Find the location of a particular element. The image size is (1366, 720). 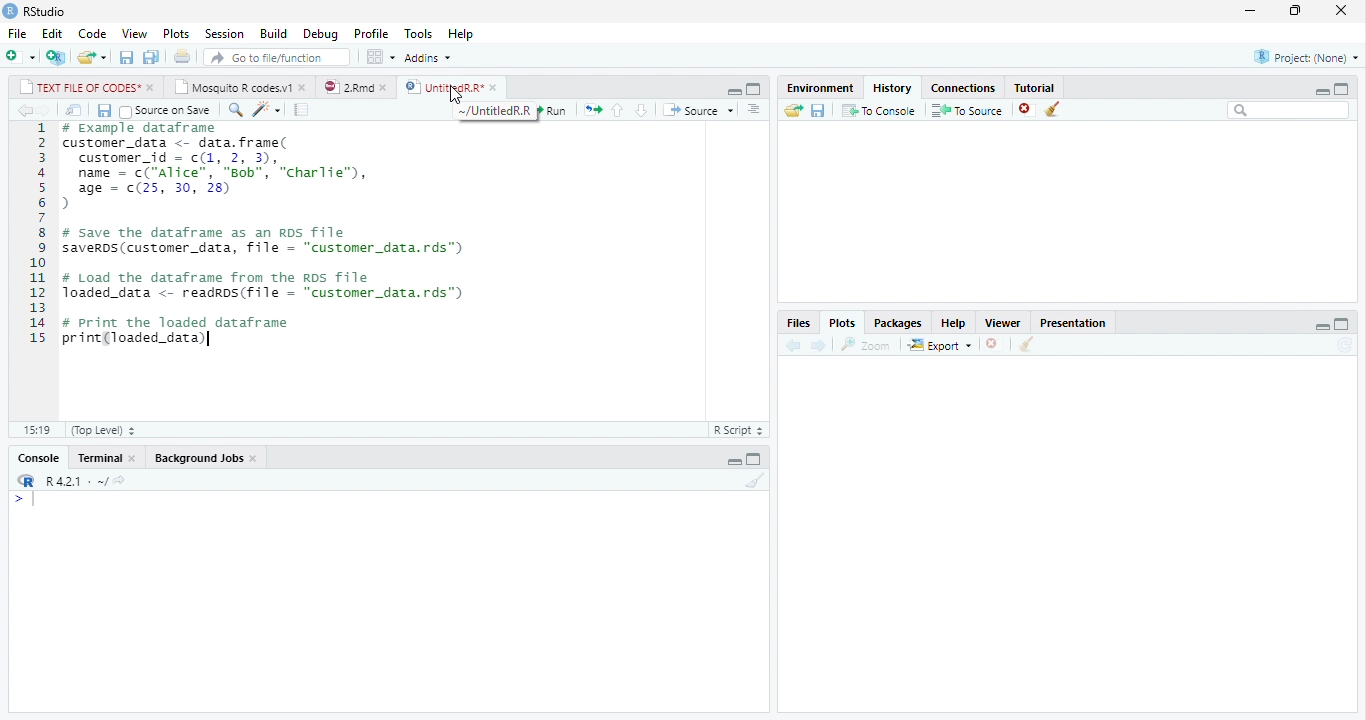

refresh is located at coordinates (1345, 345).